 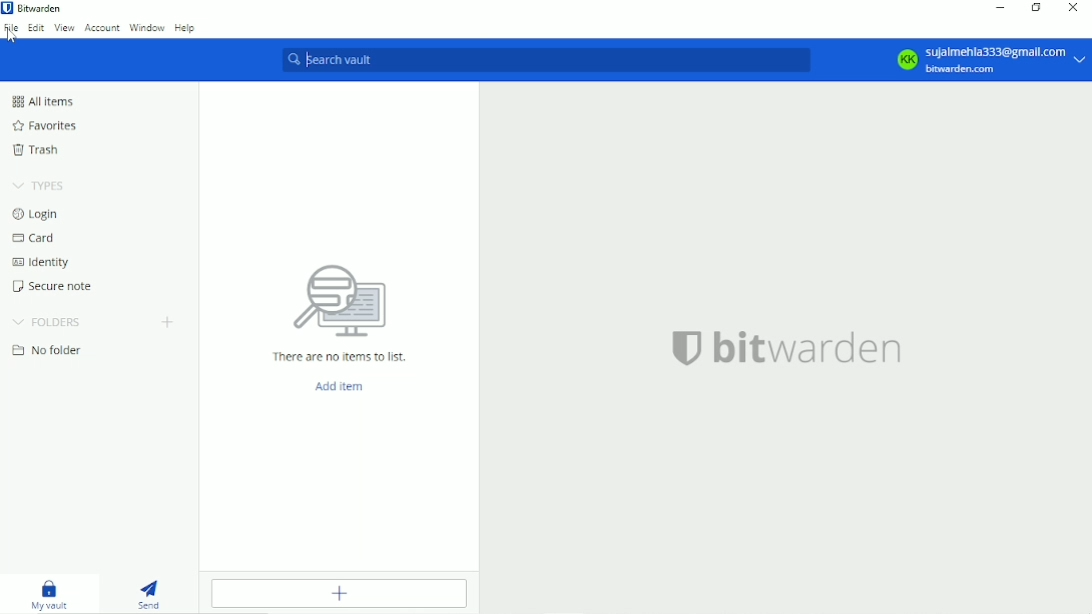 What do you see at coordinates (342, 387) in the screenshot?
I see `Add item` at bounding box center [342, 387].